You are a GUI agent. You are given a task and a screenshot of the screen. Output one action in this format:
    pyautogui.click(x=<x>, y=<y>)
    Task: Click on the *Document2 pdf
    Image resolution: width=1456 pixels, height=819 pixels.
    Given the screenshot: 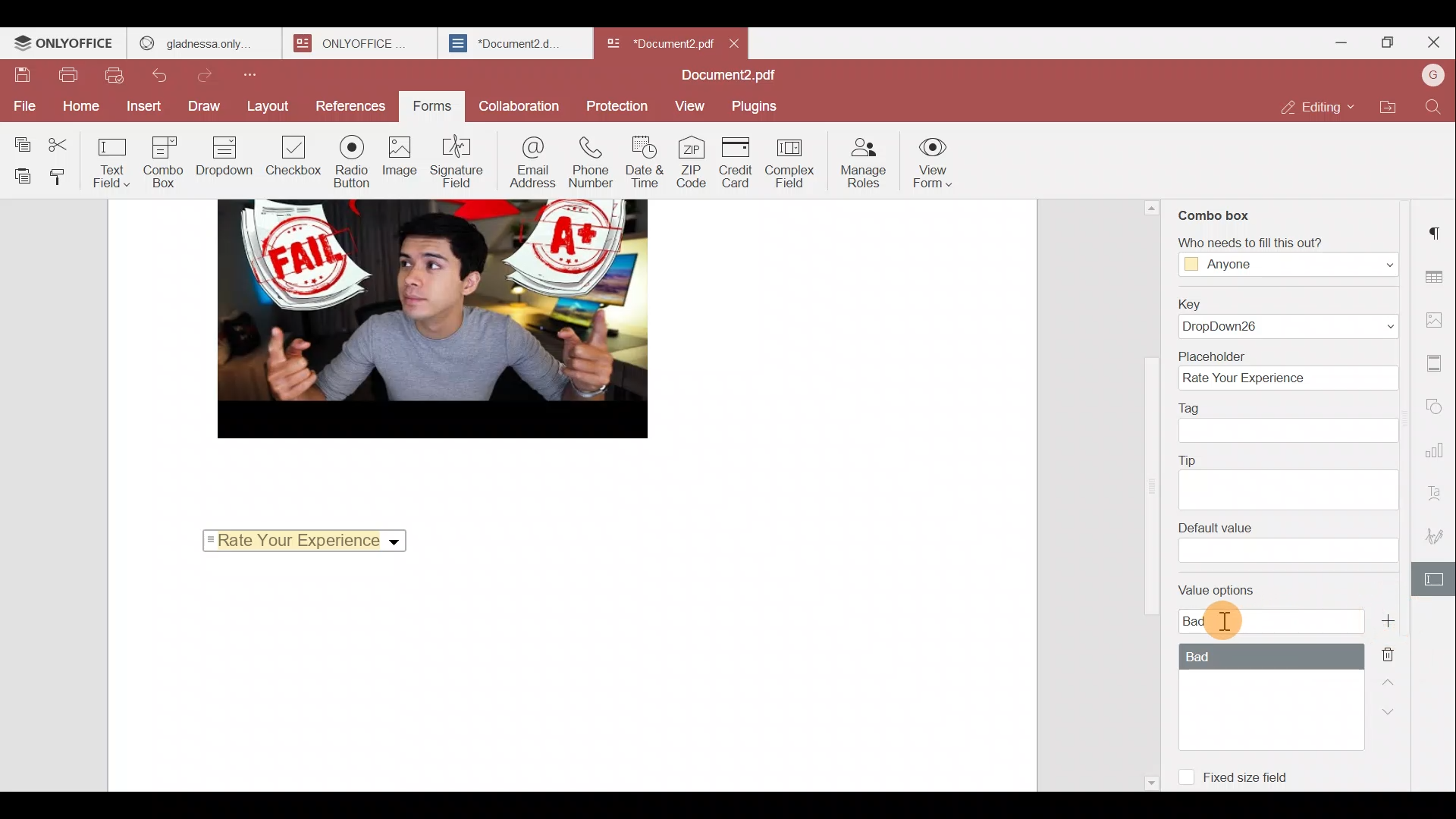 What is the action you would take?
    pyautogui.click(x=658, y=42)
    